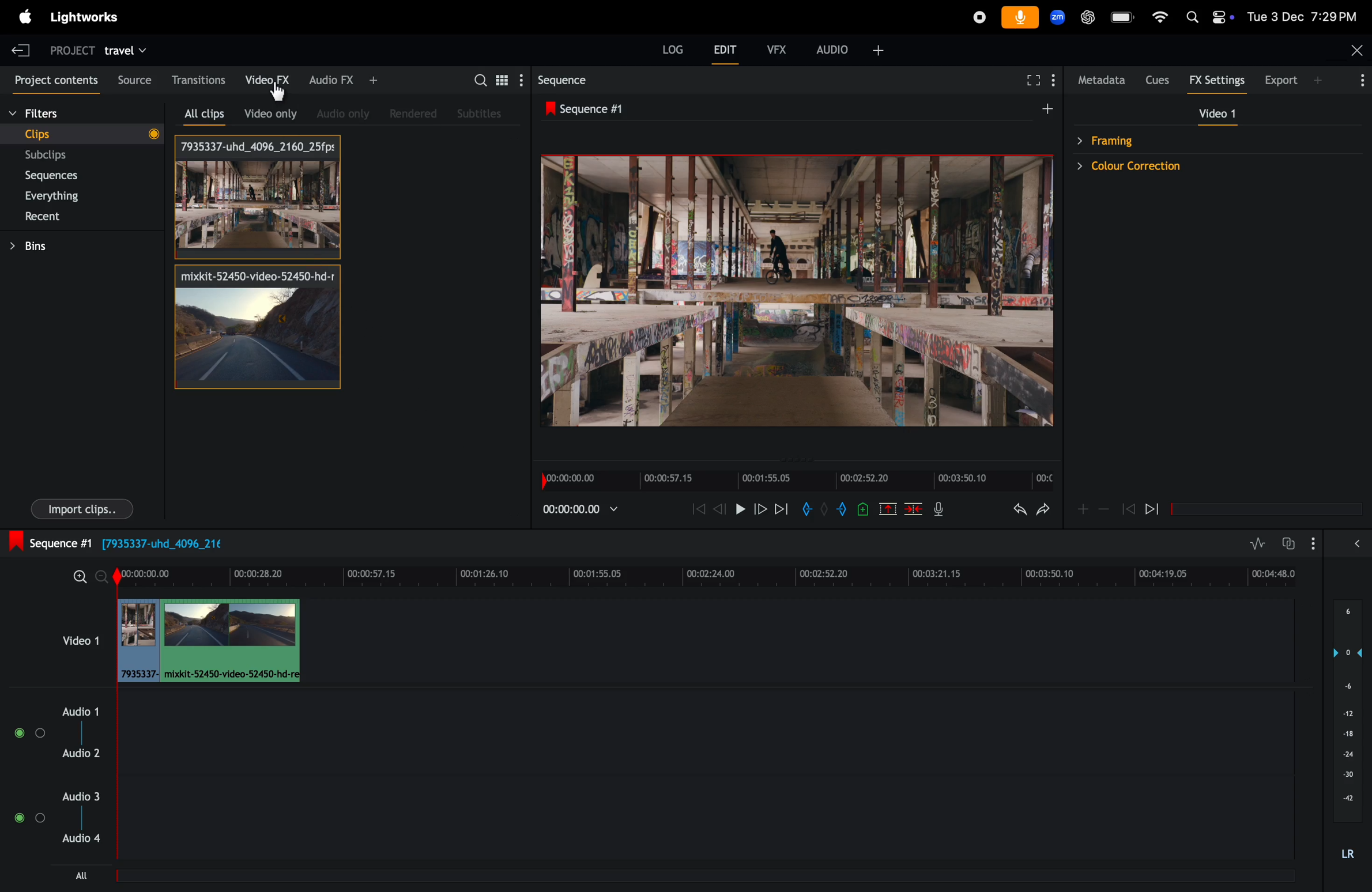 This screenshot has width=1372, height=892. What do you see at coordinates (131, 77) in the screenshot?
I see `Source` at bounding box center [131, 77].